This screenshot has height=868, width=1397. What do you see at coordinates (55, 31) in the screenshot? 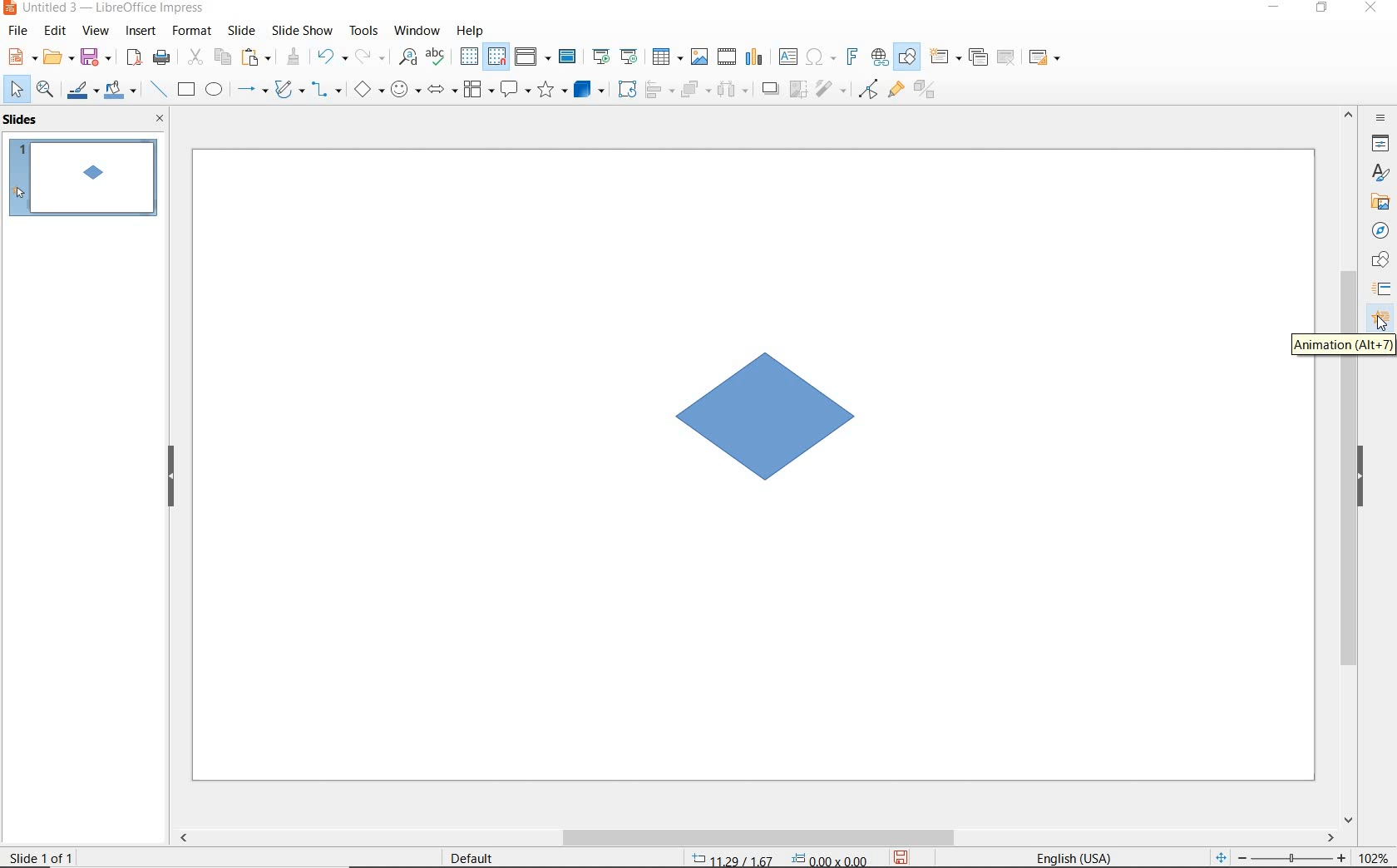
I see `edit` at bounding box center [55, 31].